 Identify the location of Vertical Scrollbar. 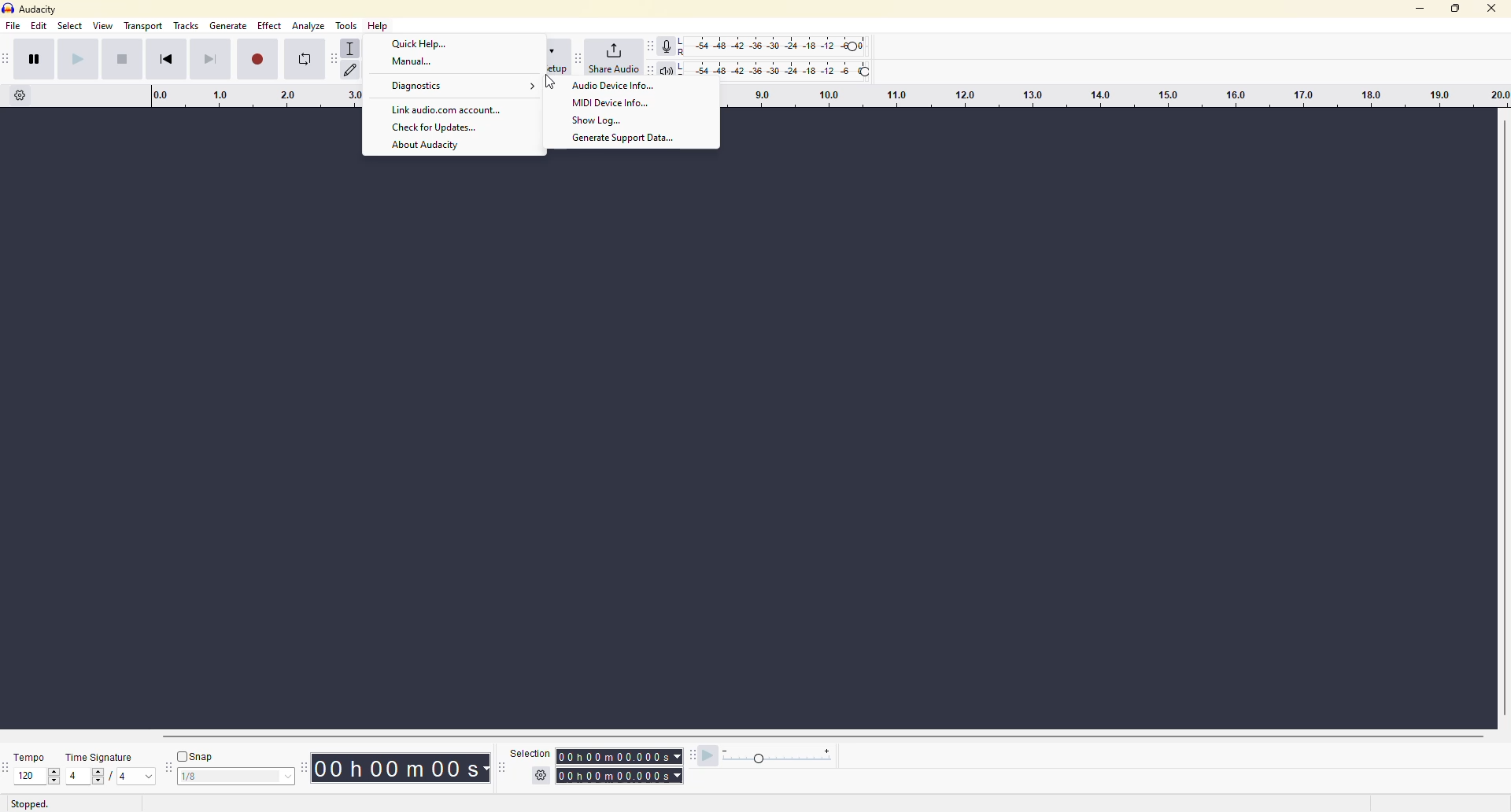
(1501, 416).